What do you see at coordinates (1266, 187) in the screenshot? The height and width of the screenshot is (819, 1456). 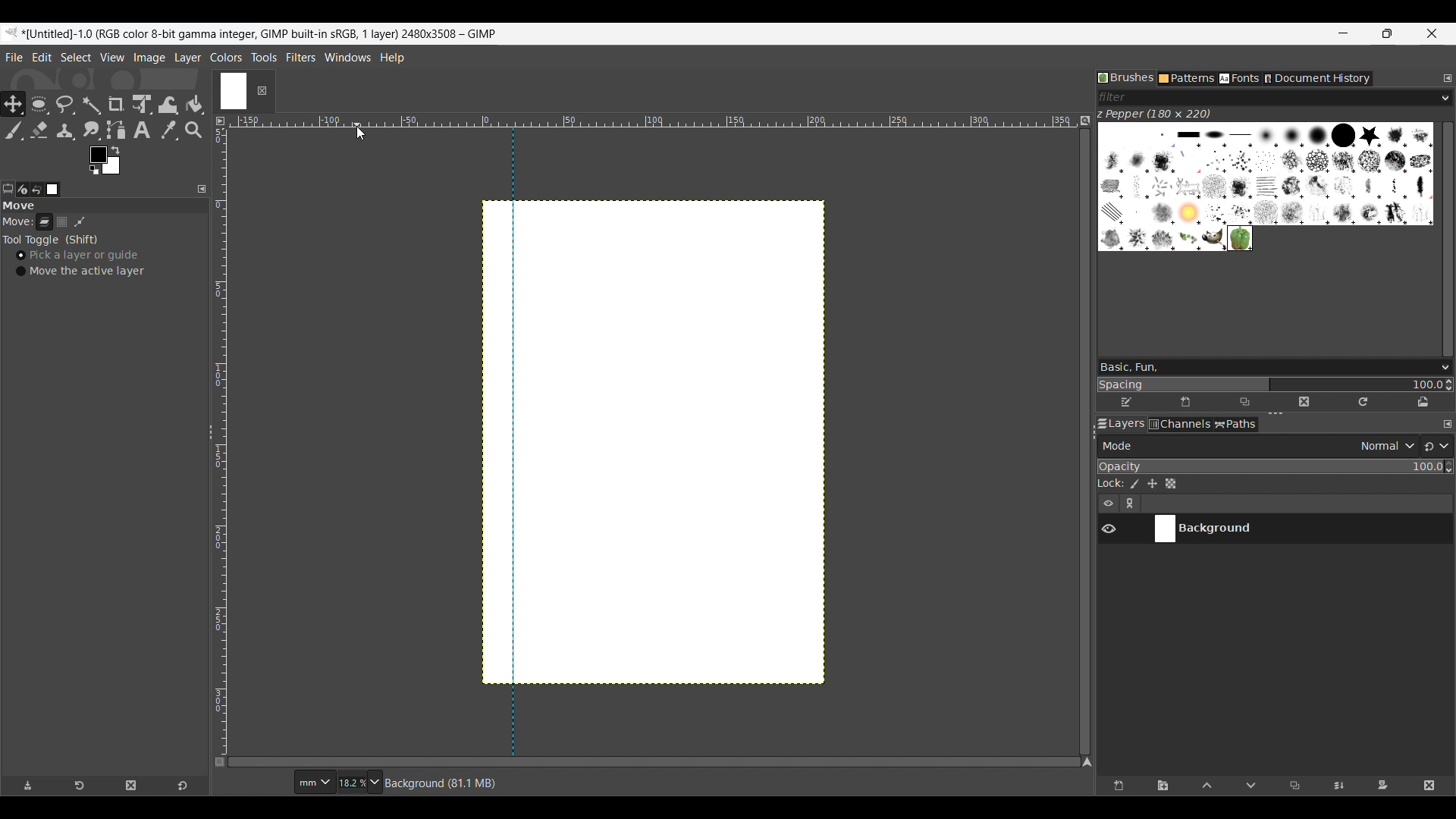 I see `Current brush options` at bounding box center [1266, 187].